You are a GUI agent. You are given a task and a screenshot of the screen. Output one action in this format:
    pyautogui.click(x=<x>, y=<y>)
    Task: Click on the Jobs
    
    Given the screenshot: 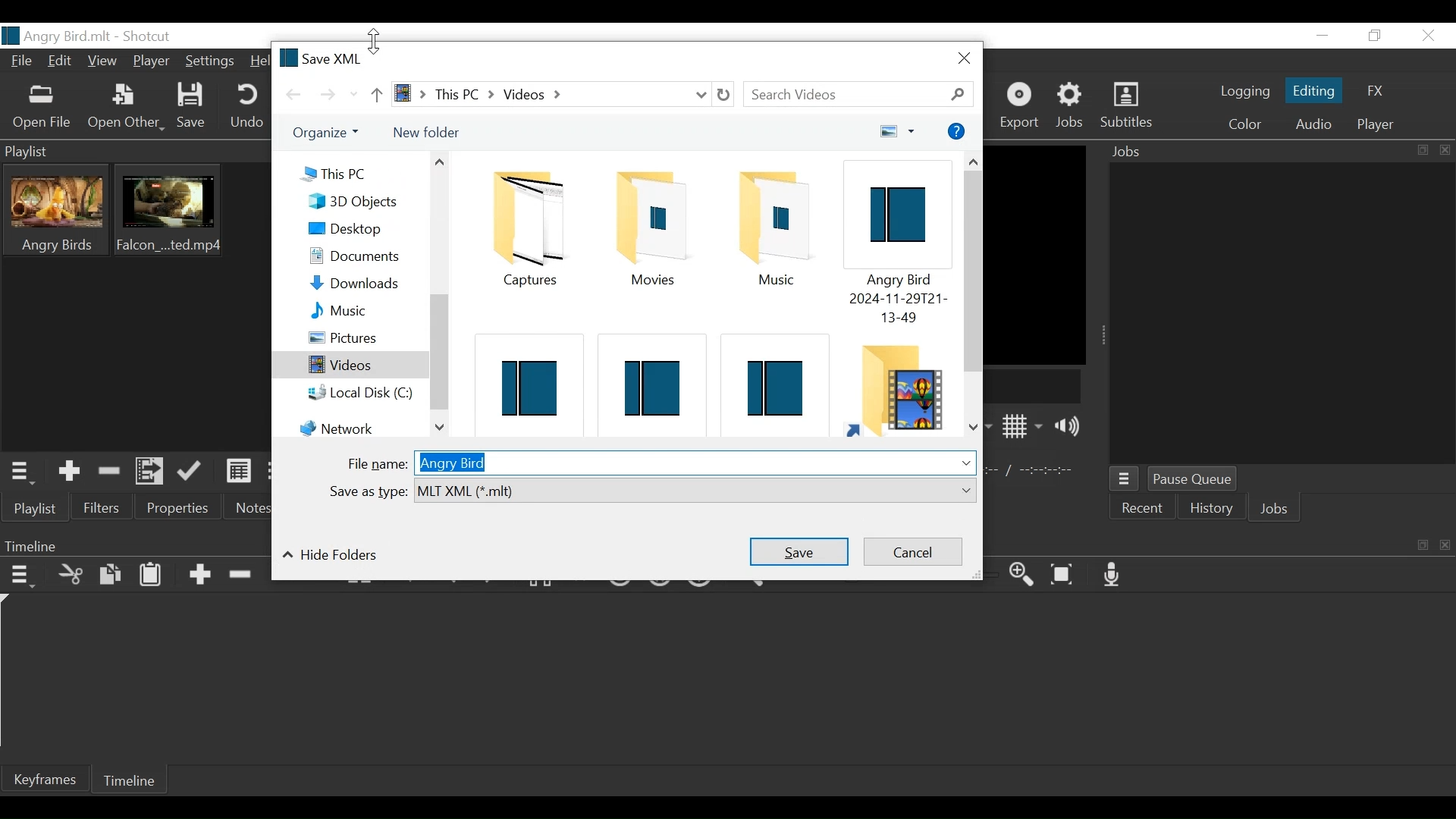 What is the action you would take?
    pyautogui.click(x=1279, y=153)
    